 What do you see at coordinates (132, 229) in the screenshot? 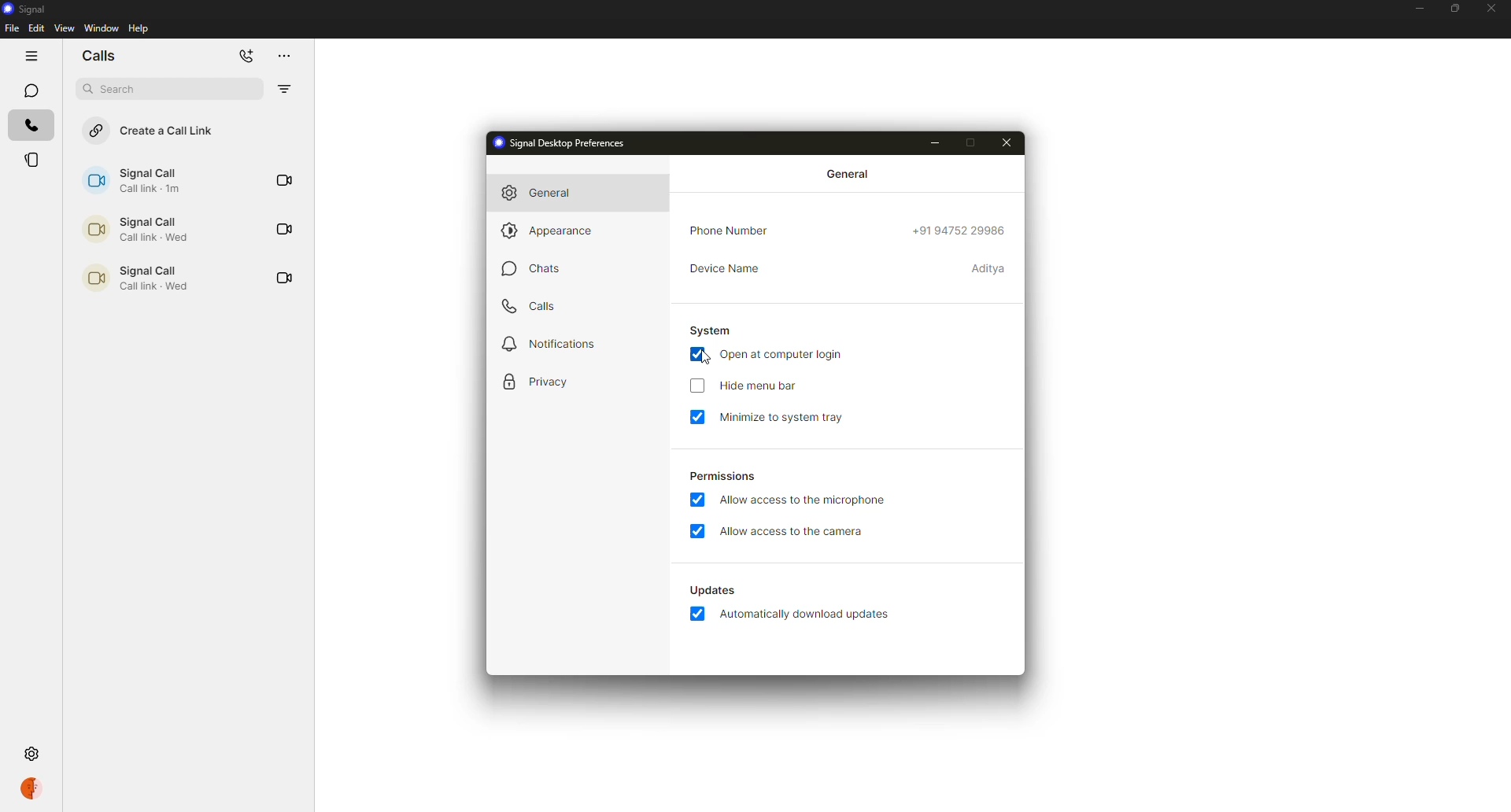
I see `call link` at bounding box center [132, 229].